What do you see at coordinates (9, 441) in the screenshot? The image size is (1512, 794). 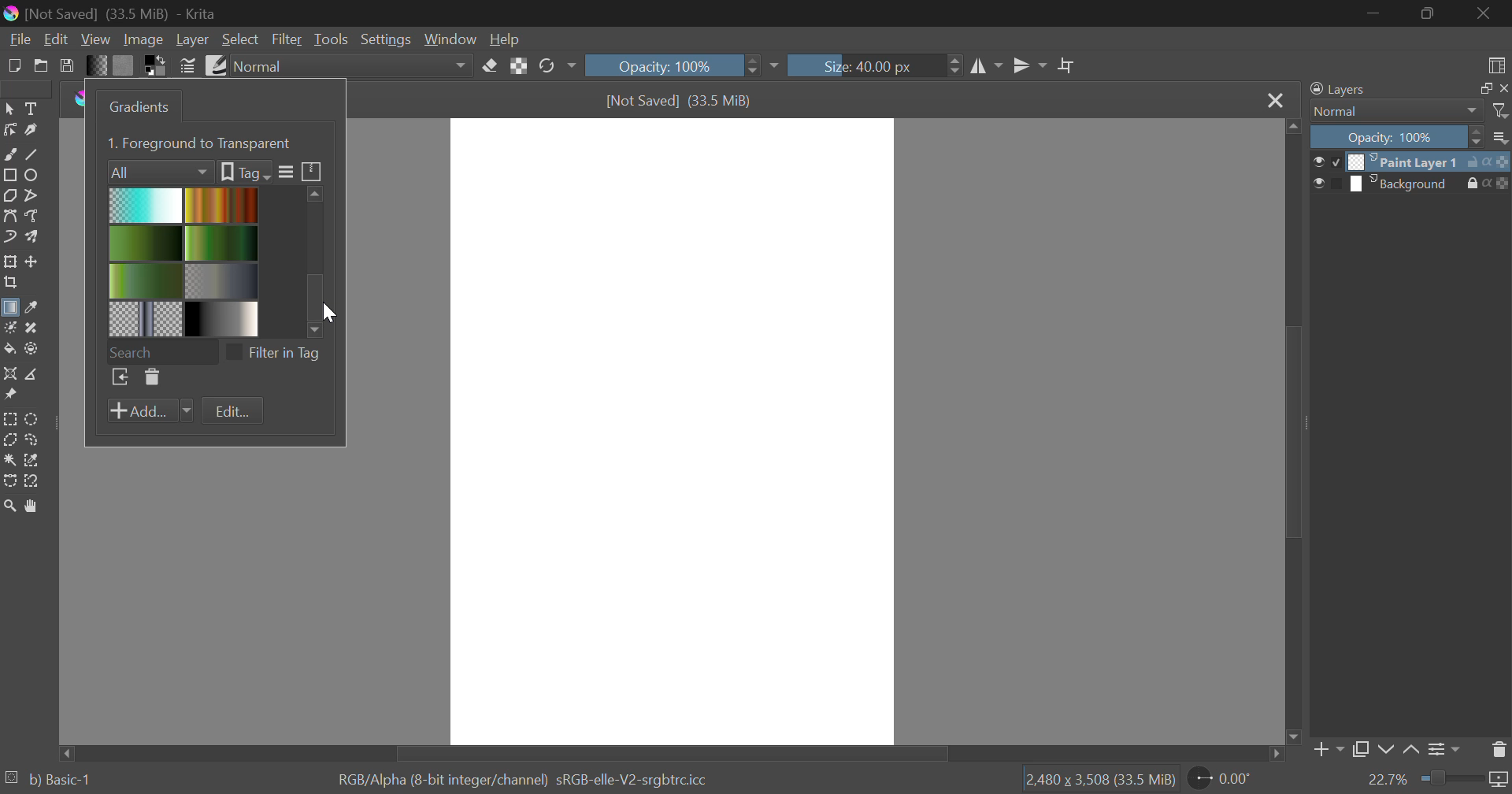 I see `Polygon Selection` at bounding box center [9, 441].